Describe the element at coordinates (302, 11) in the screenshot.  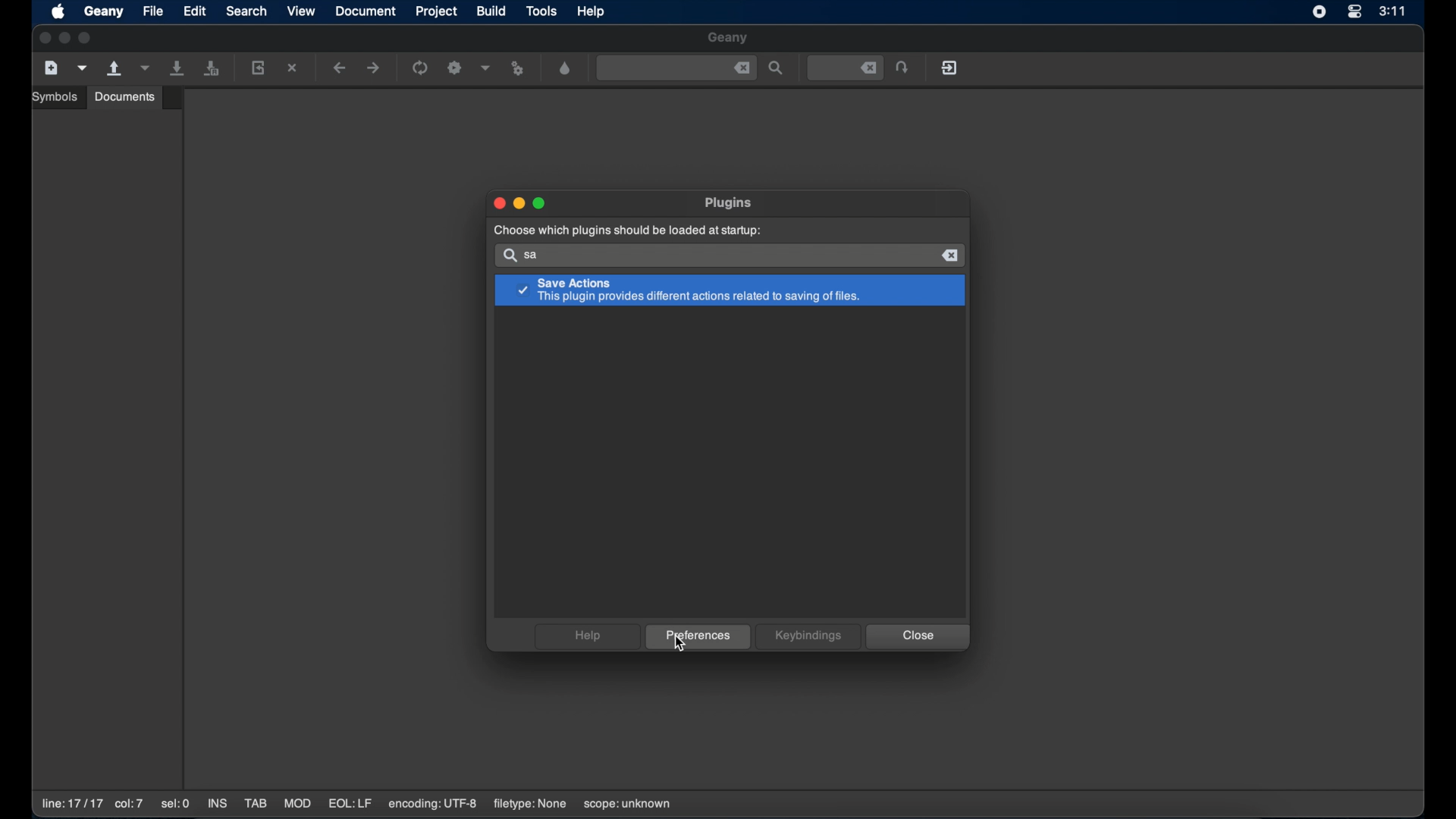
I see `view` at that location.